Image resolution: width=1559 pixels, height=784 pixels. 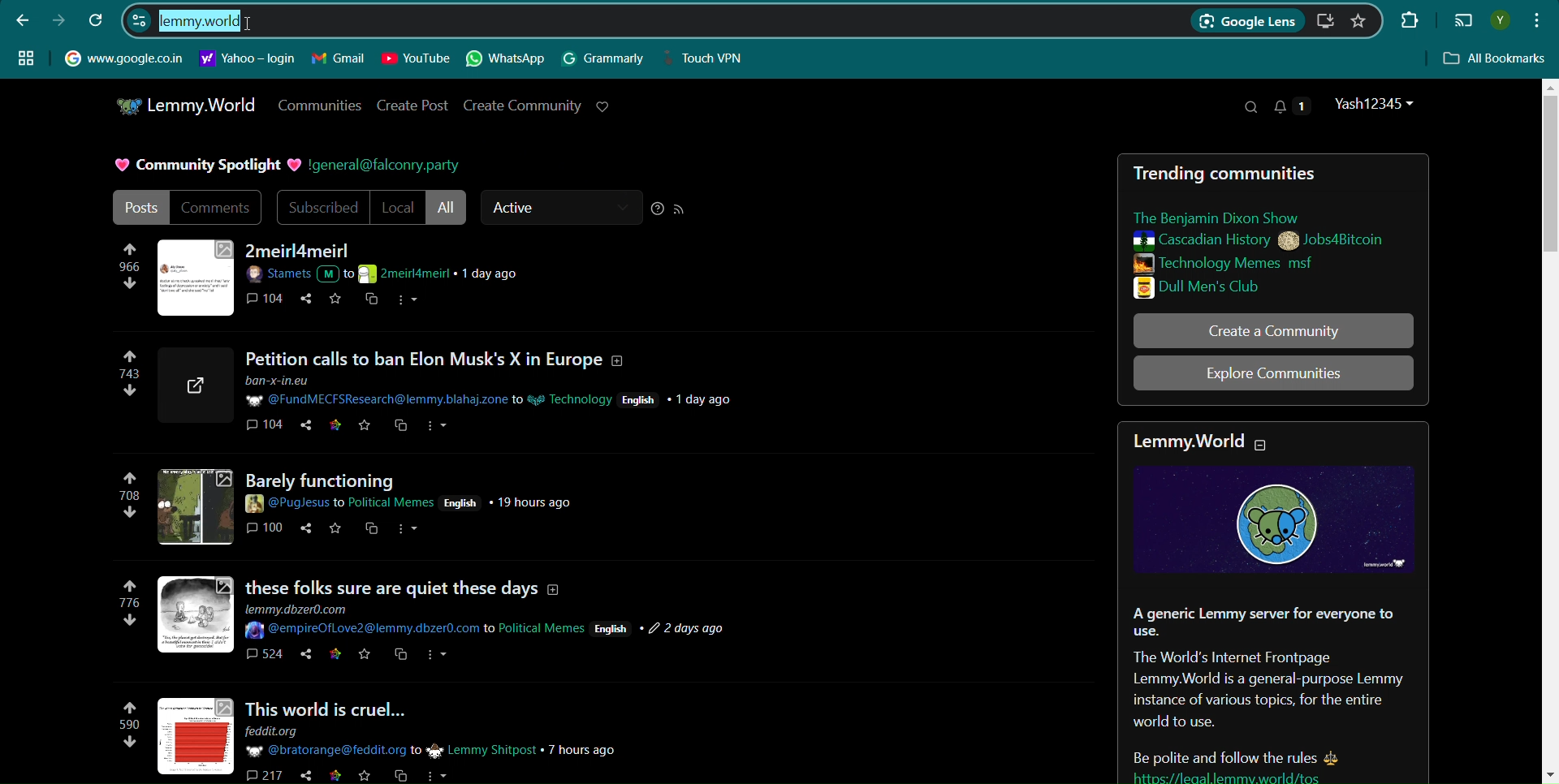 I want to click on Petition calls to ban Elon Musk's X in Europe, so click(x=443, y=360).